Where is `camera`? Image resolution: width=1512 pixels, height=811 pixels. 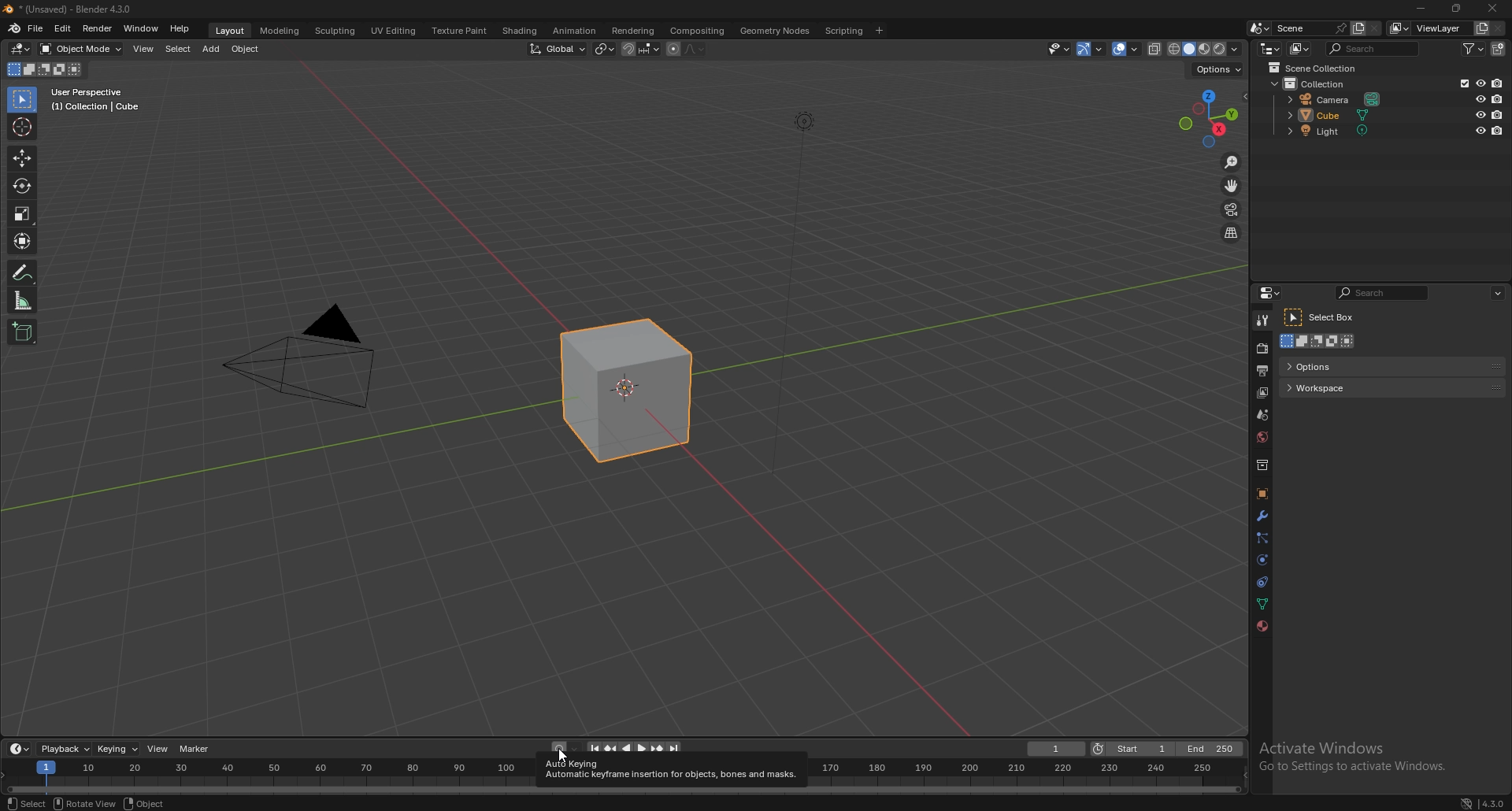 camera is located at coordinates (314, 358).